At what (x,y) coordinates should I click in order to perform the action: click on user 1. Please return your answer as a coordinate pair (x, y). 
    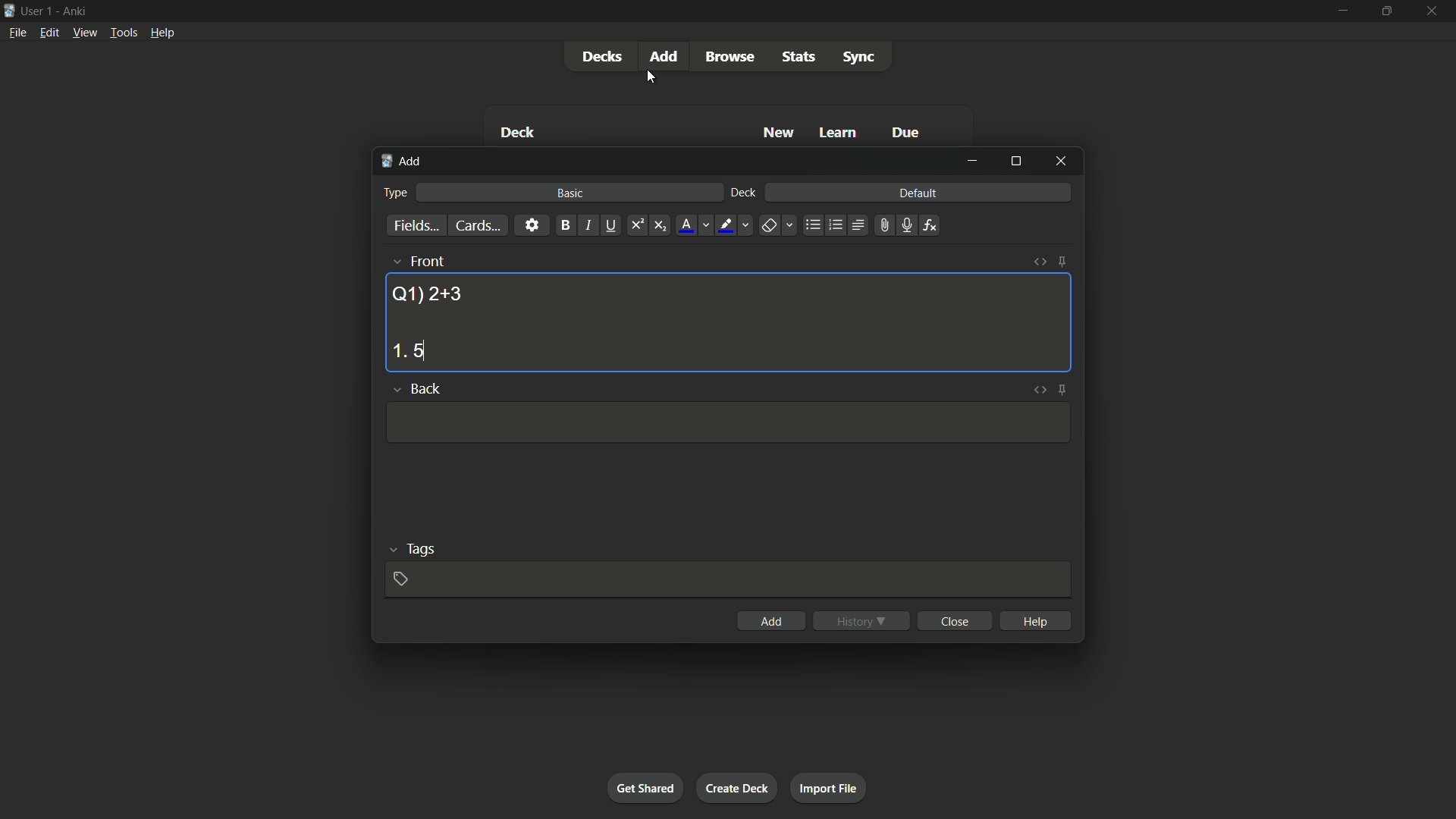
    Looking at the image, I should click on (37, 8).